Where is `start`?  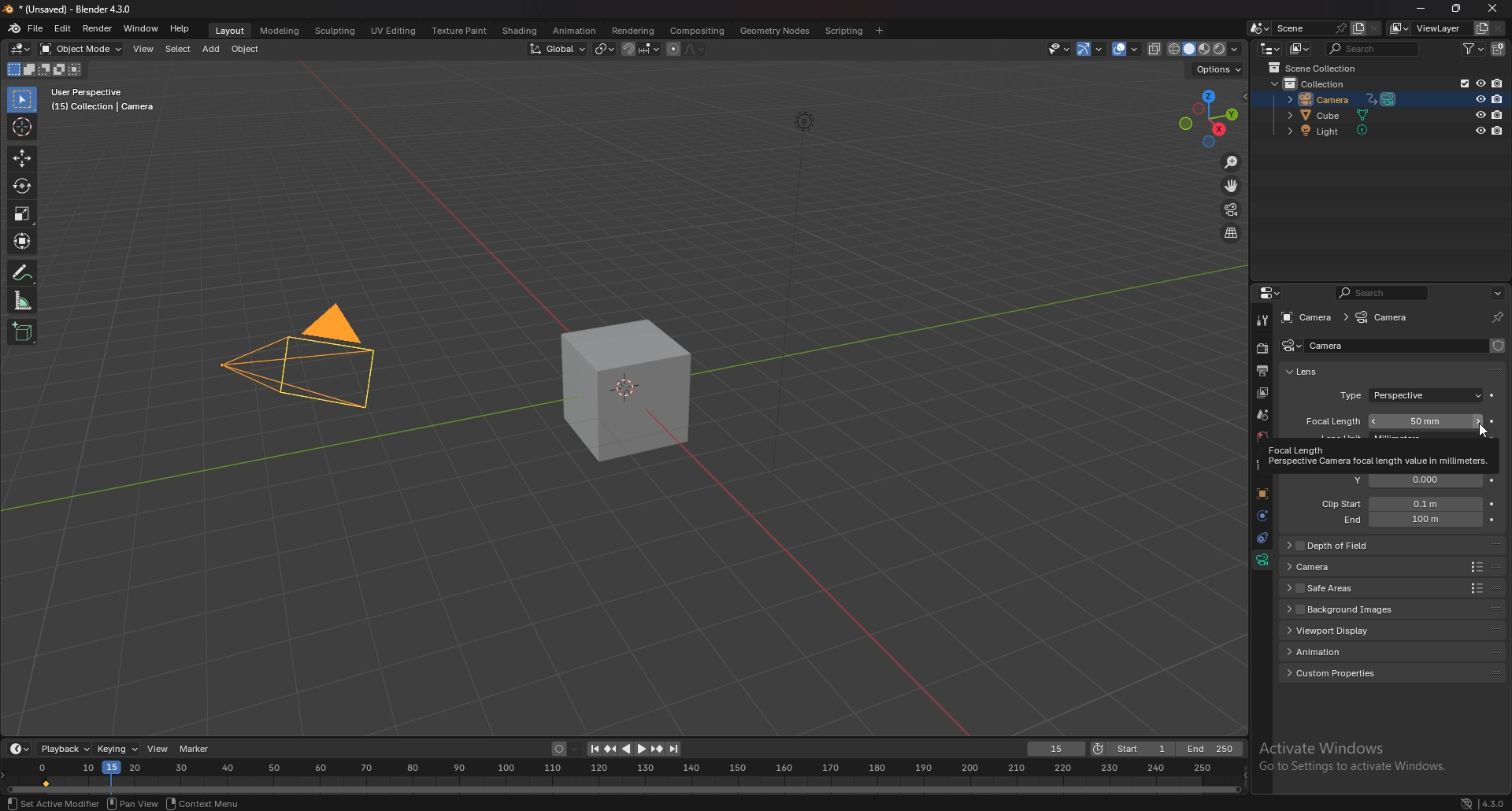 start is located at coordinates (1132, 750).